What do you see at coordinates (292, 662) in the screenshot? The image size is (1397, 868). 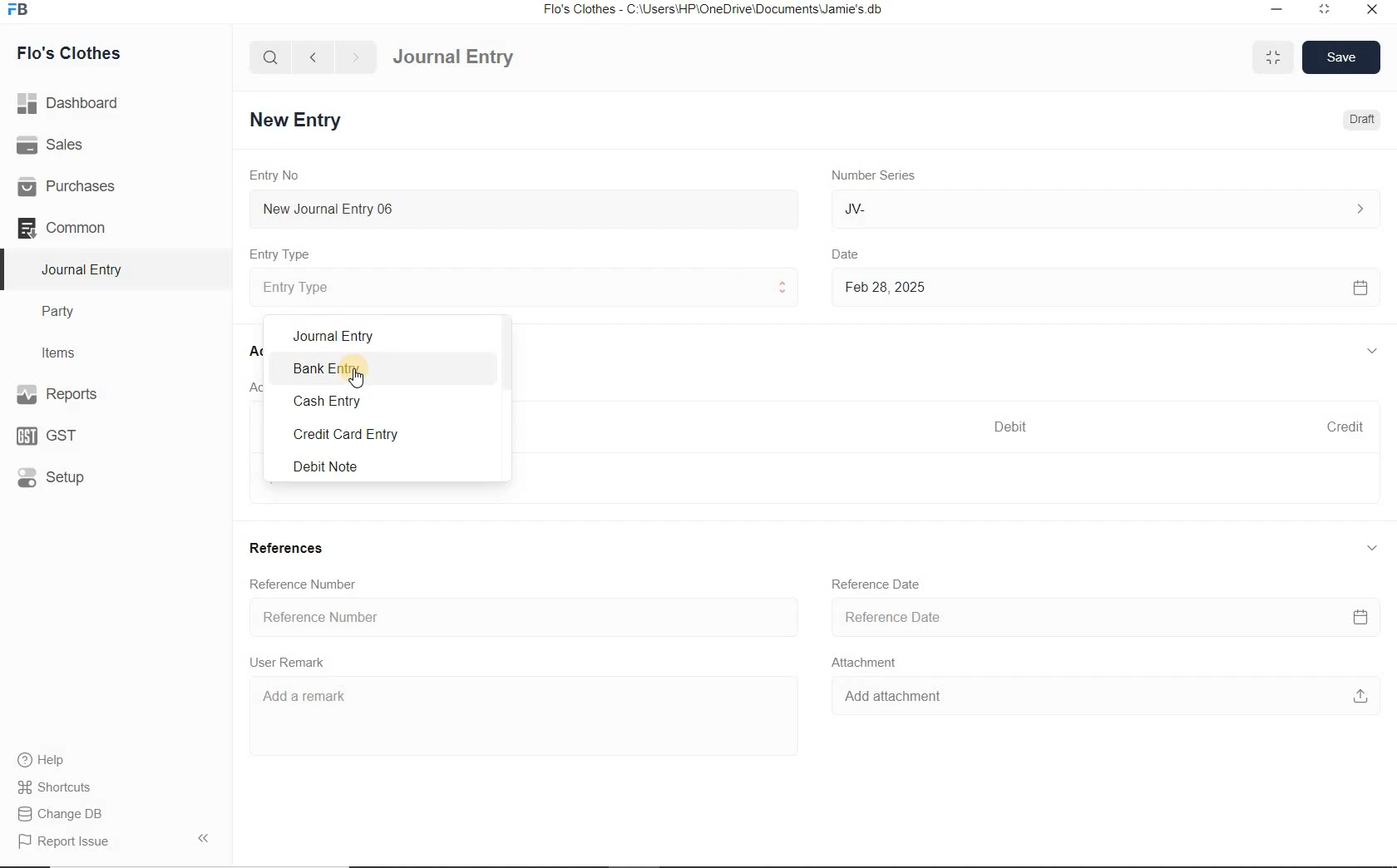 I see `User Remark` at bounding box center [292, 662].